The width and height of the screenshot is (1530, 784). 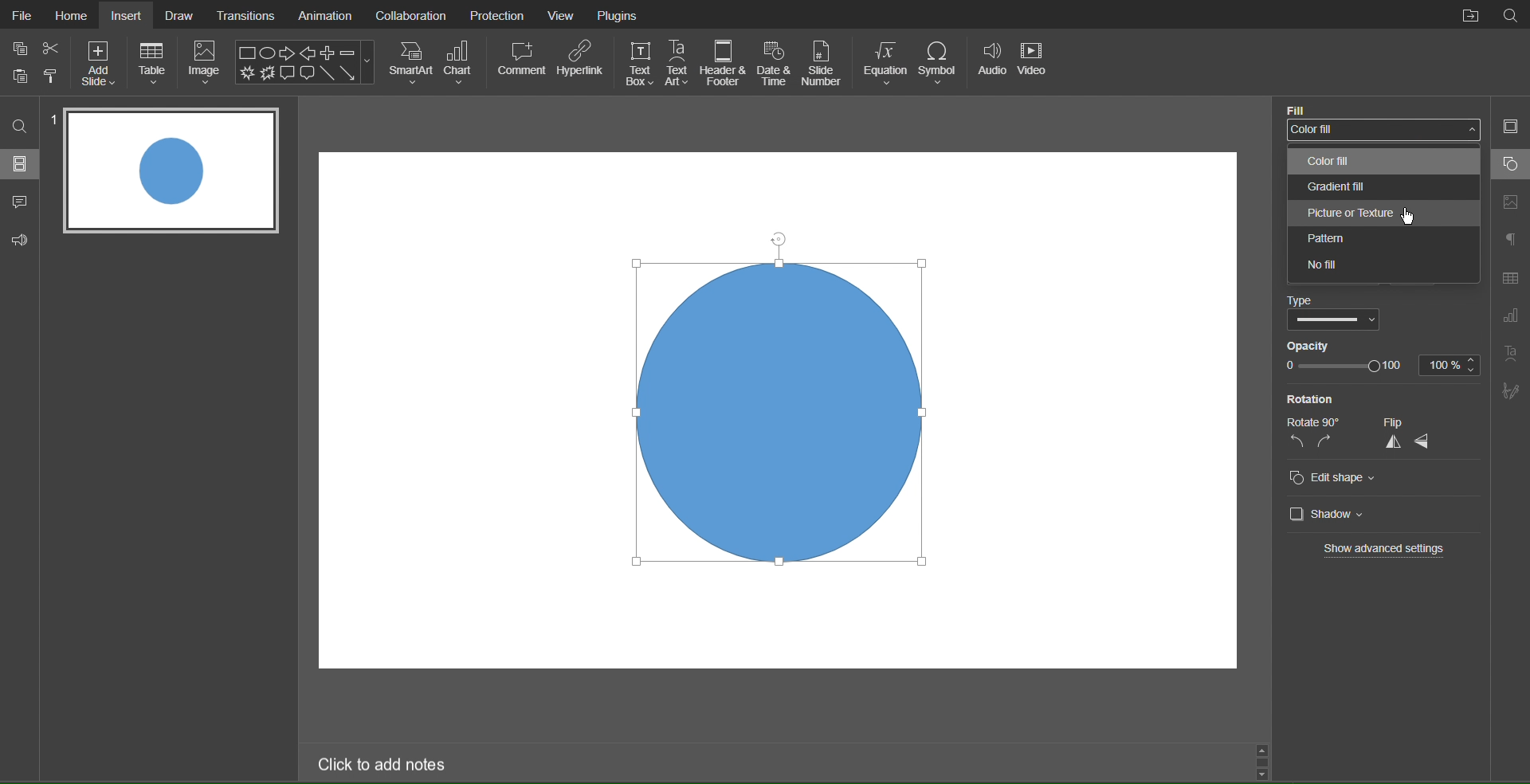 I want to click on Comments, so click(x=21, y=202).